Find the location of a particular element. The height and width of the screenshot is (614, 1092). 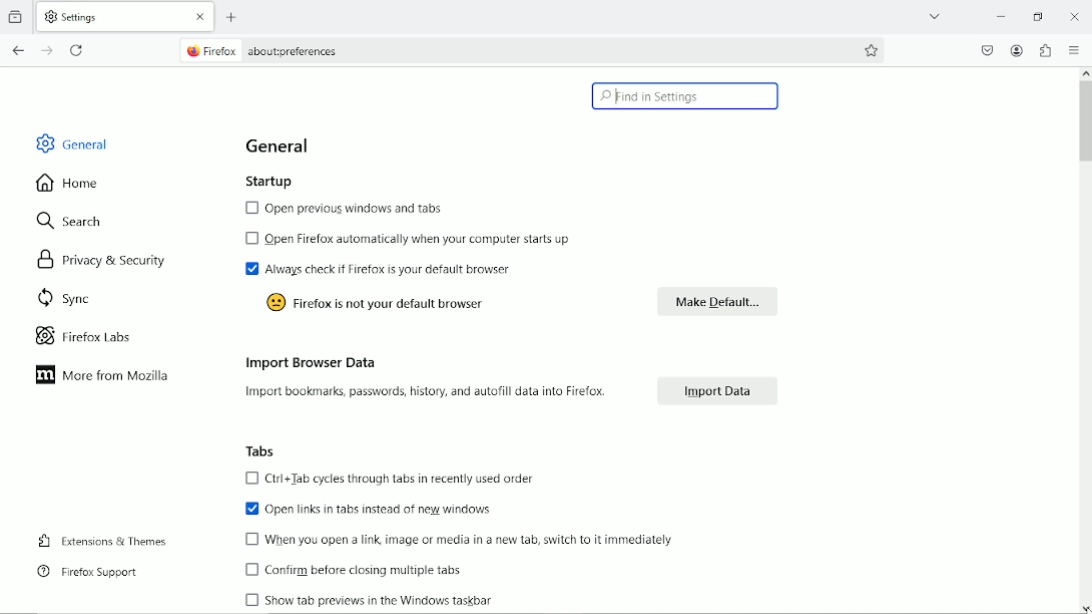

Open application menu is located at coordinates (1075, 50).